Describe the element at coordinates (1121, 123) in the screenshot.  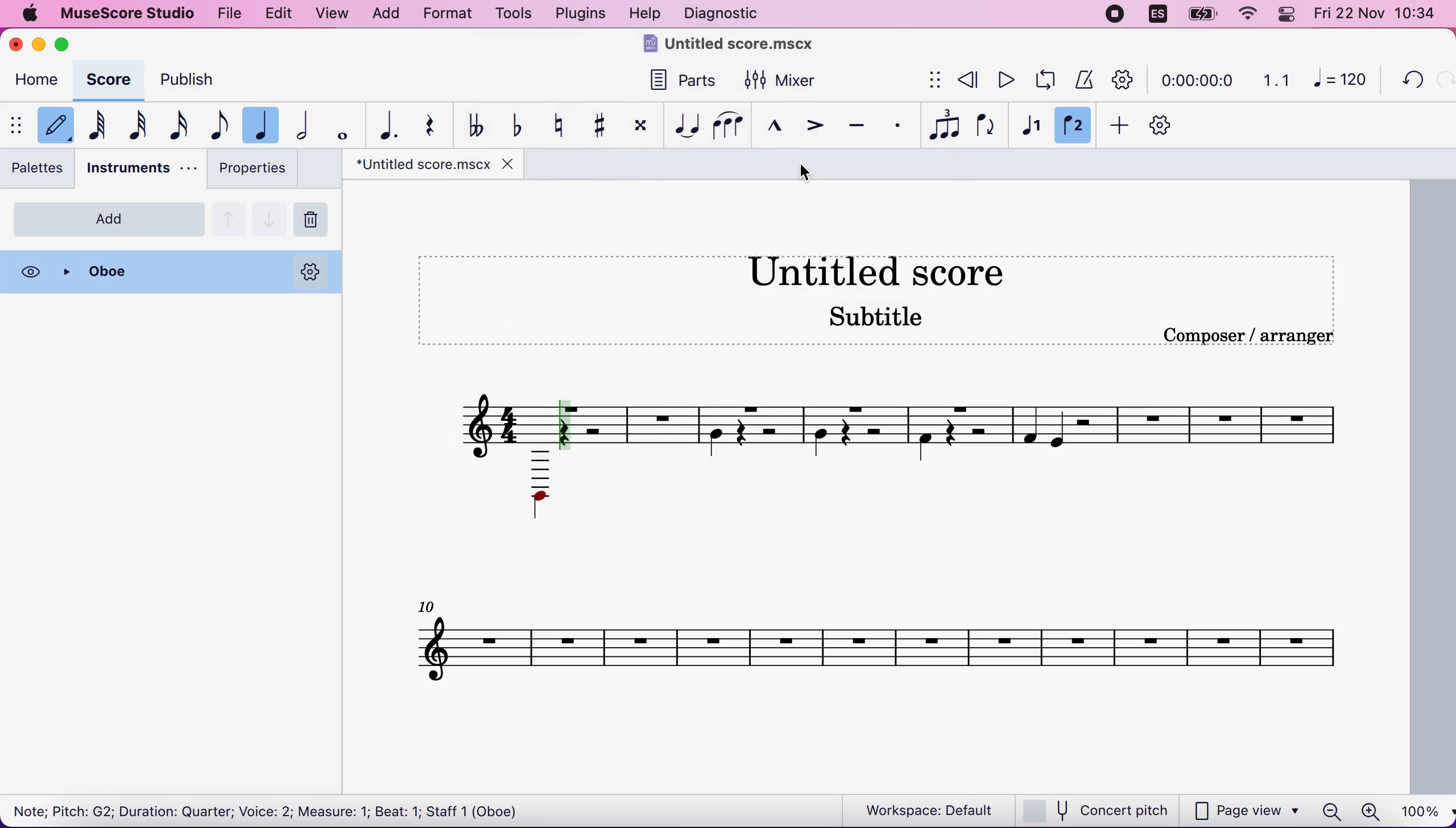
I see `add` at that location.